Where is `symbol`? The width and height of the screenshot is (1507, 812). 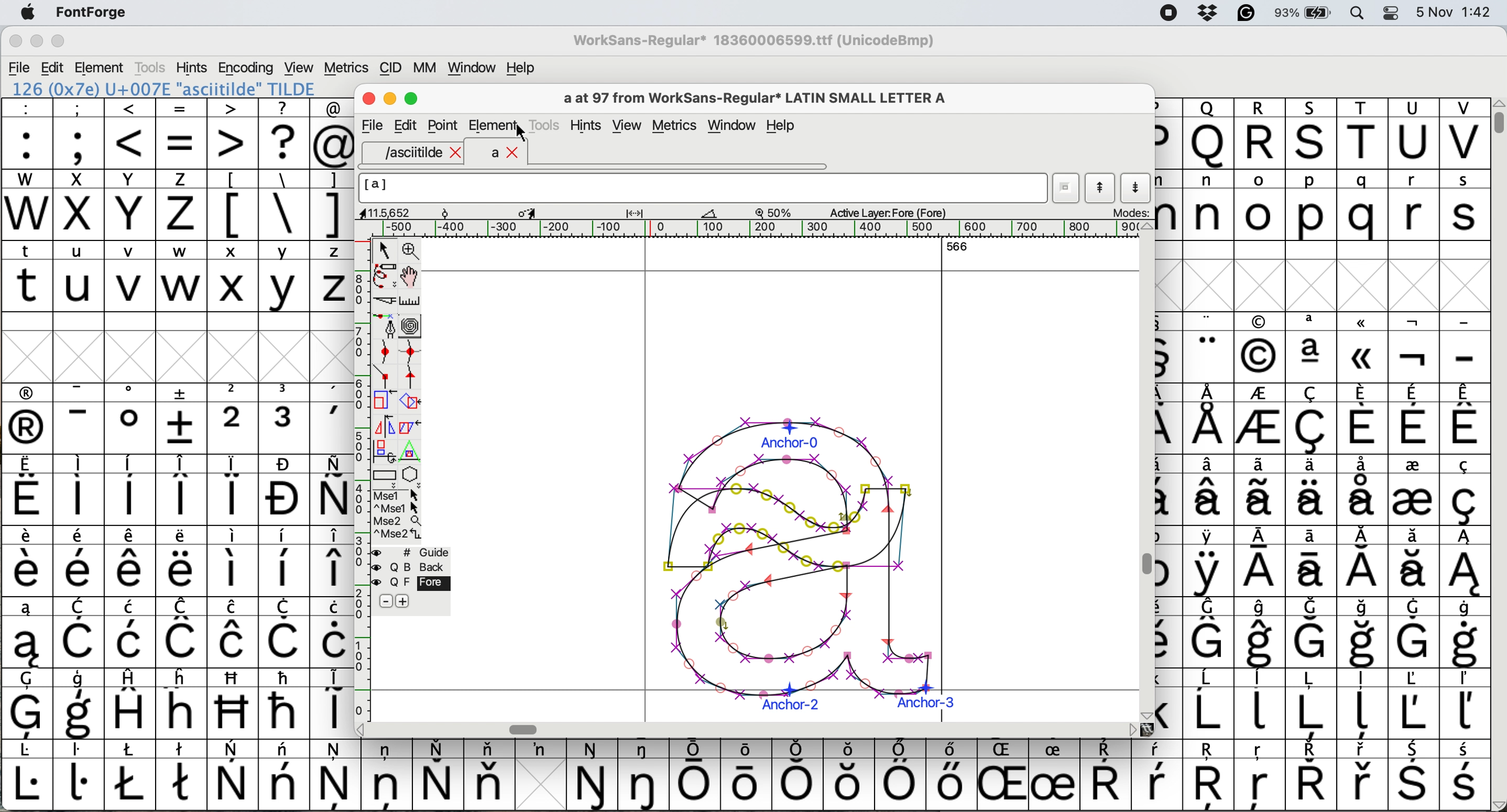
symbol is located at coordinates (540, 749).